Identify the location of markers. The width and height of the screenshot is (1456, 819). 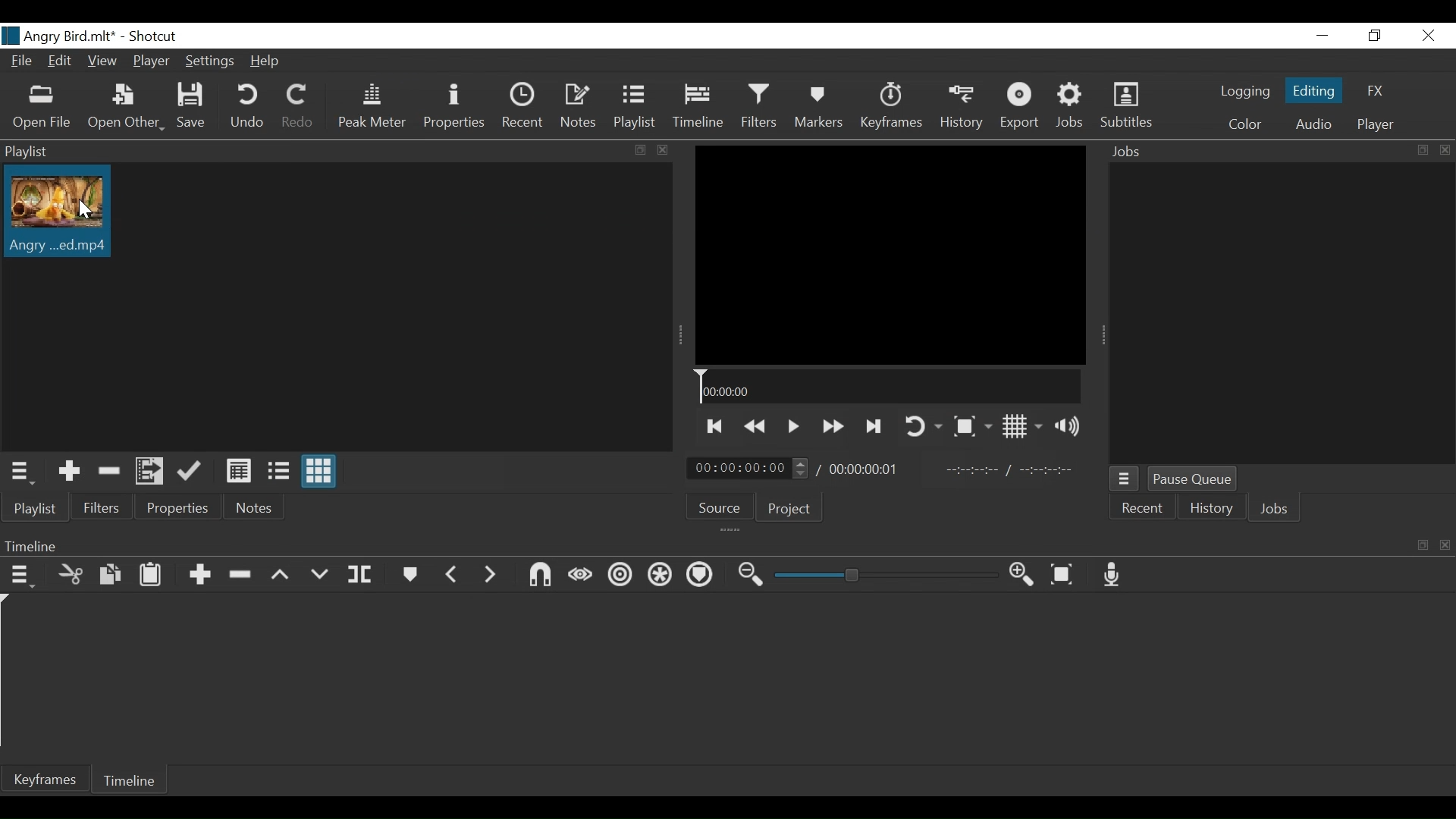
(409, 574).